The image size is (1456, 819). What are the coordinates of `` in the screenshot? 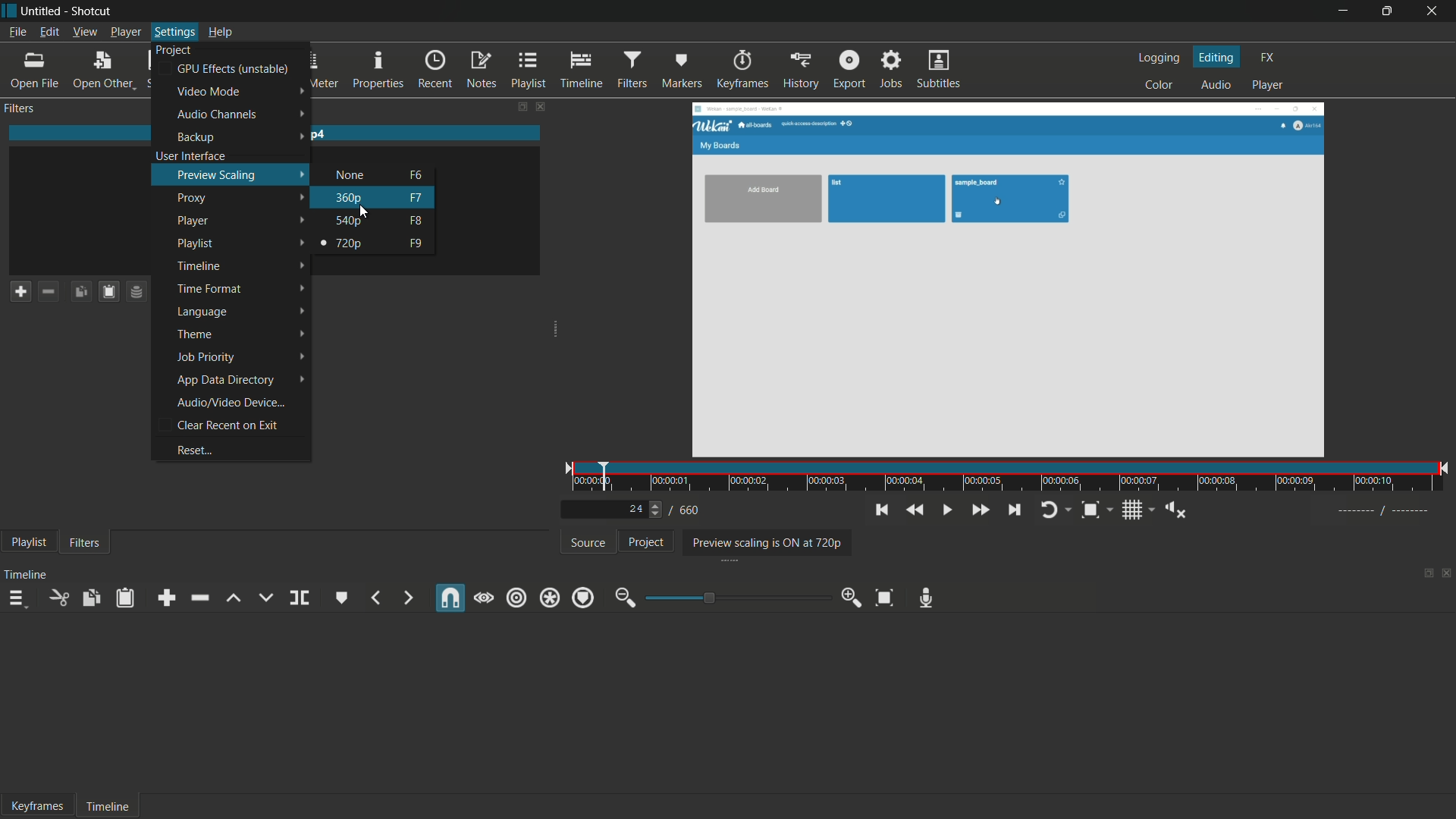 It's located at (1177, 513).